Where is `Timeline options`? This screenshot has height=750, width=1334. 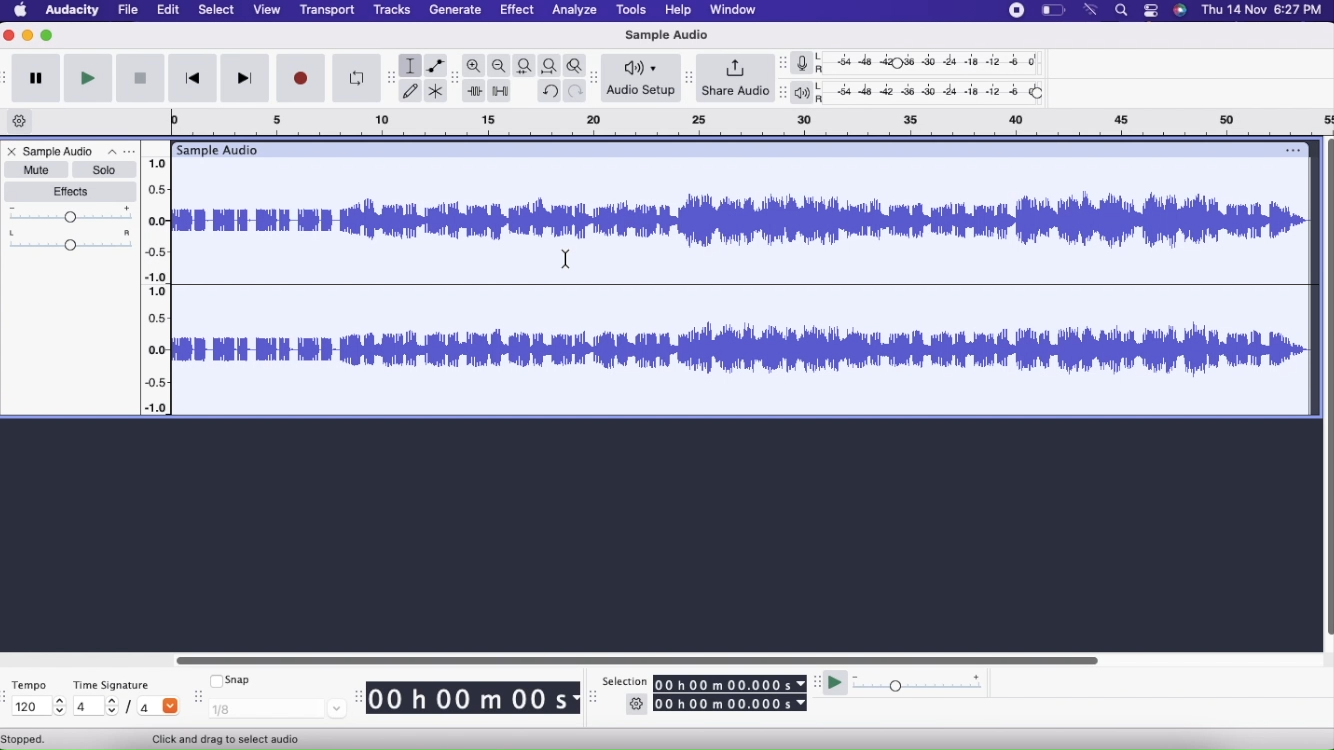 Timeline options is located at coordinates (20, 122).